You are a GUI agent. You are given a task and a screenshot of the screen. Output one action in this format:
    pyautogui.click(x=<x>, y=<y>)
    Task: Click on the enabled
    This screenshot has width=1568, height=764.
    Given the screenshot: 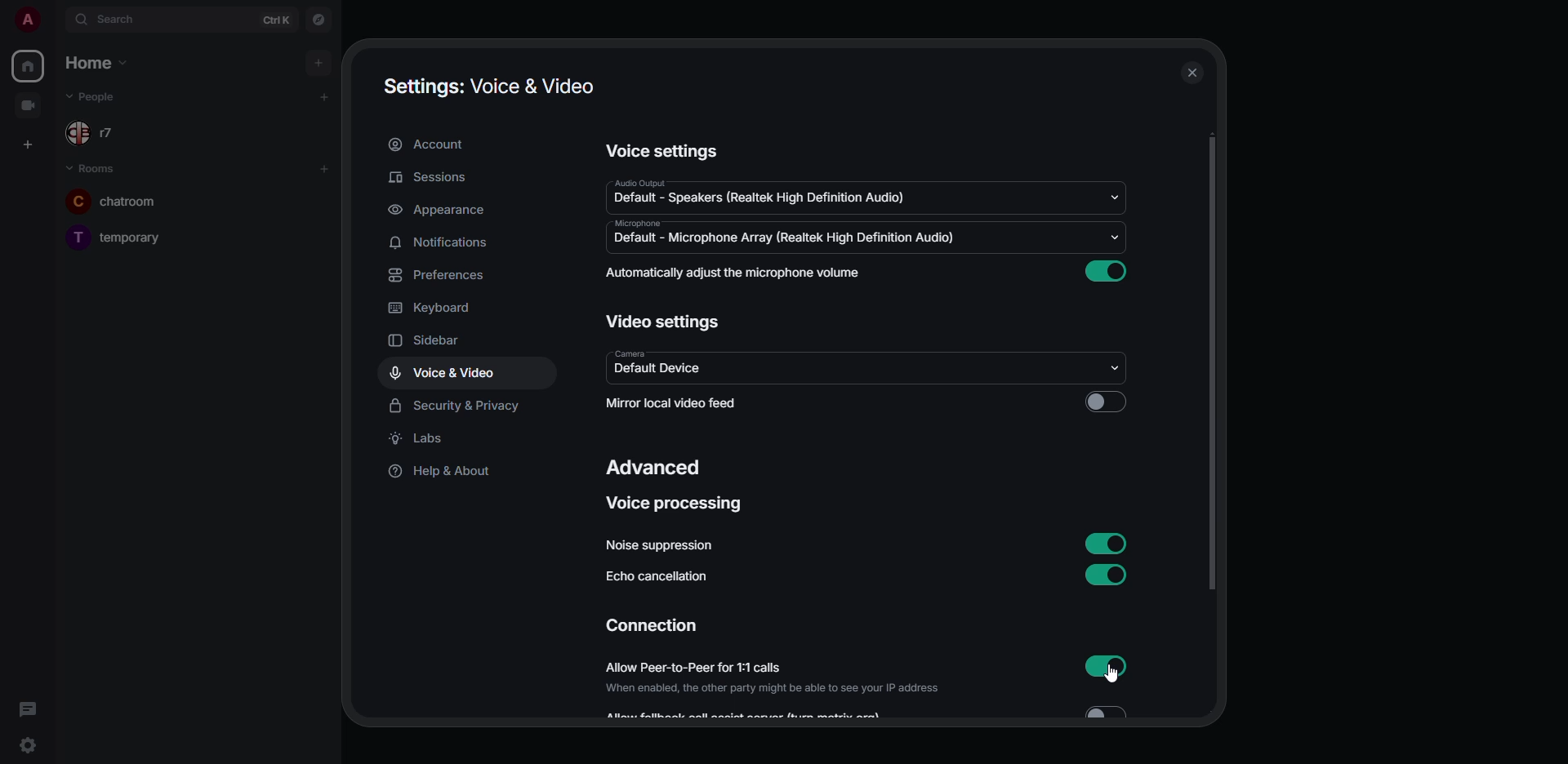 What is the action you would take?
    pyautogui.click(x=1109, y=666)
    